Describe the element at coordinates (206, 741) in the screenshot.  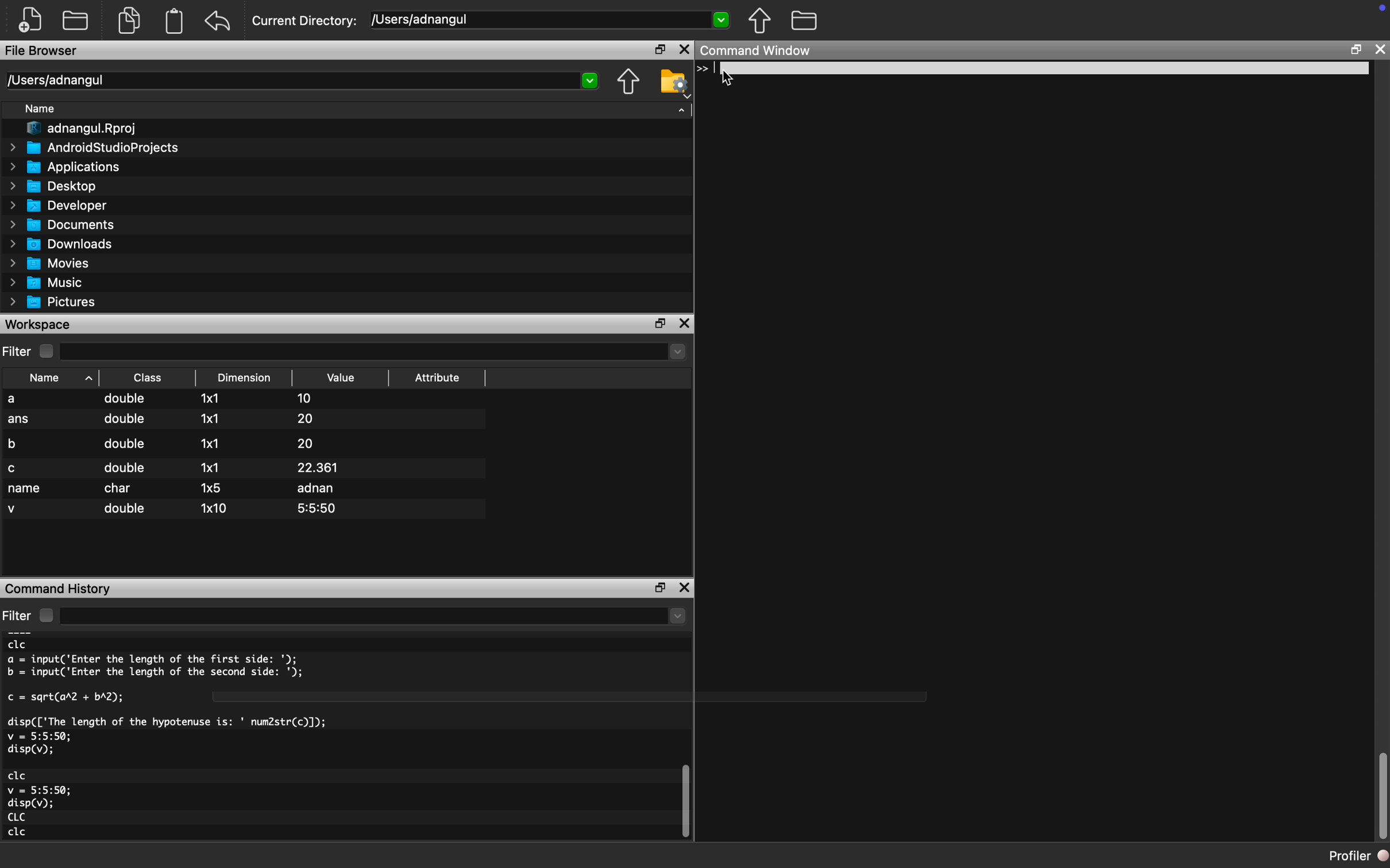
I see `clc

a = input('Enter the length of the first side: ');
b = input('Enter the length of the second side: ');
c = sqrt(ar2 + bA2);

disp(['The length of the hypotenuse is: ' num2str(c)]);
v = 5:5:50;

disp(v);

clc

v = 5:5:50;

disp(v);

CLC

clc` at that location.